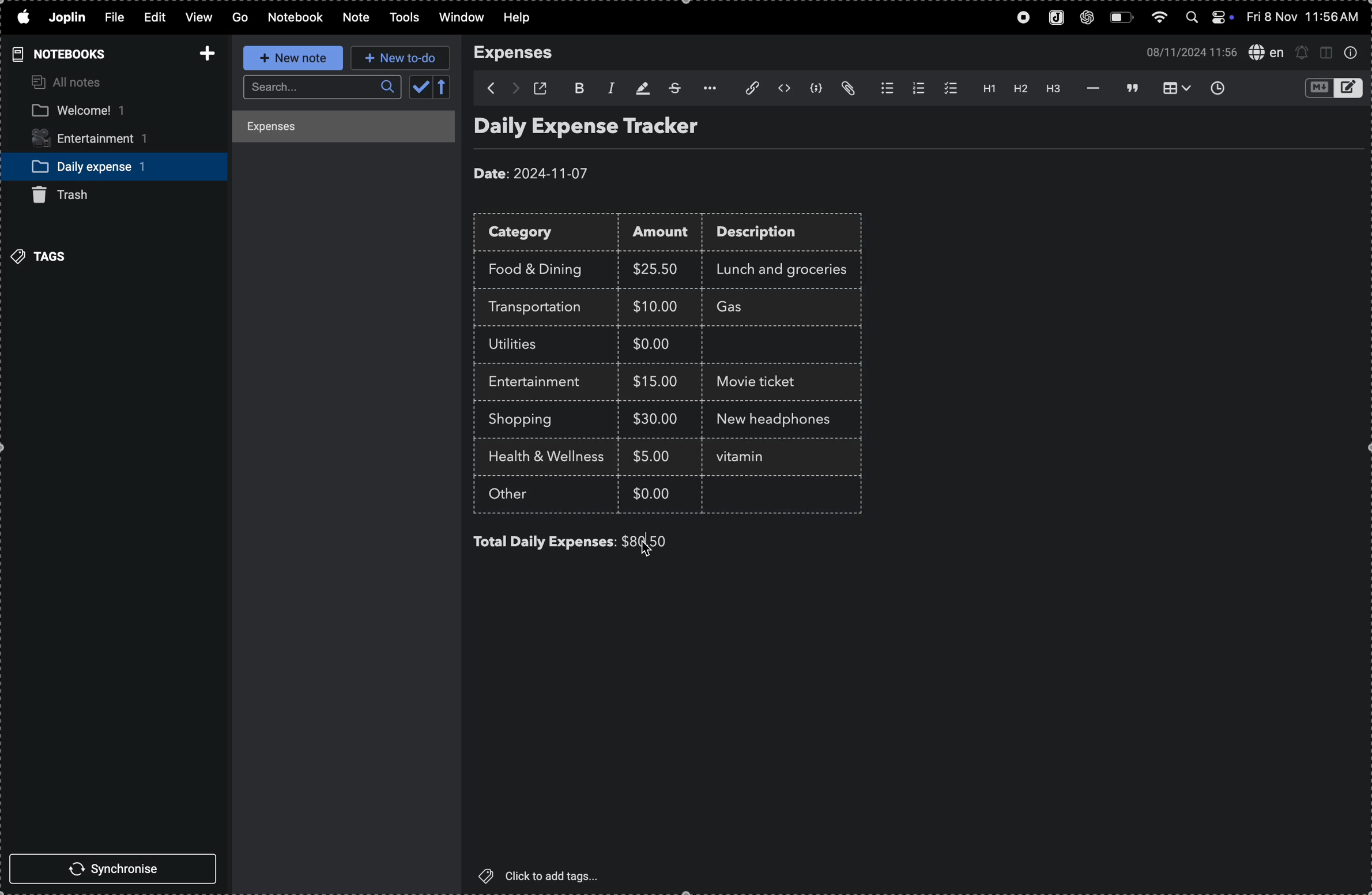 This screenshot has width=1372, height=895. What do you see at coordinates (948, 88) in the screenshot?
I see `checklist` at bounding box center [948, 88].